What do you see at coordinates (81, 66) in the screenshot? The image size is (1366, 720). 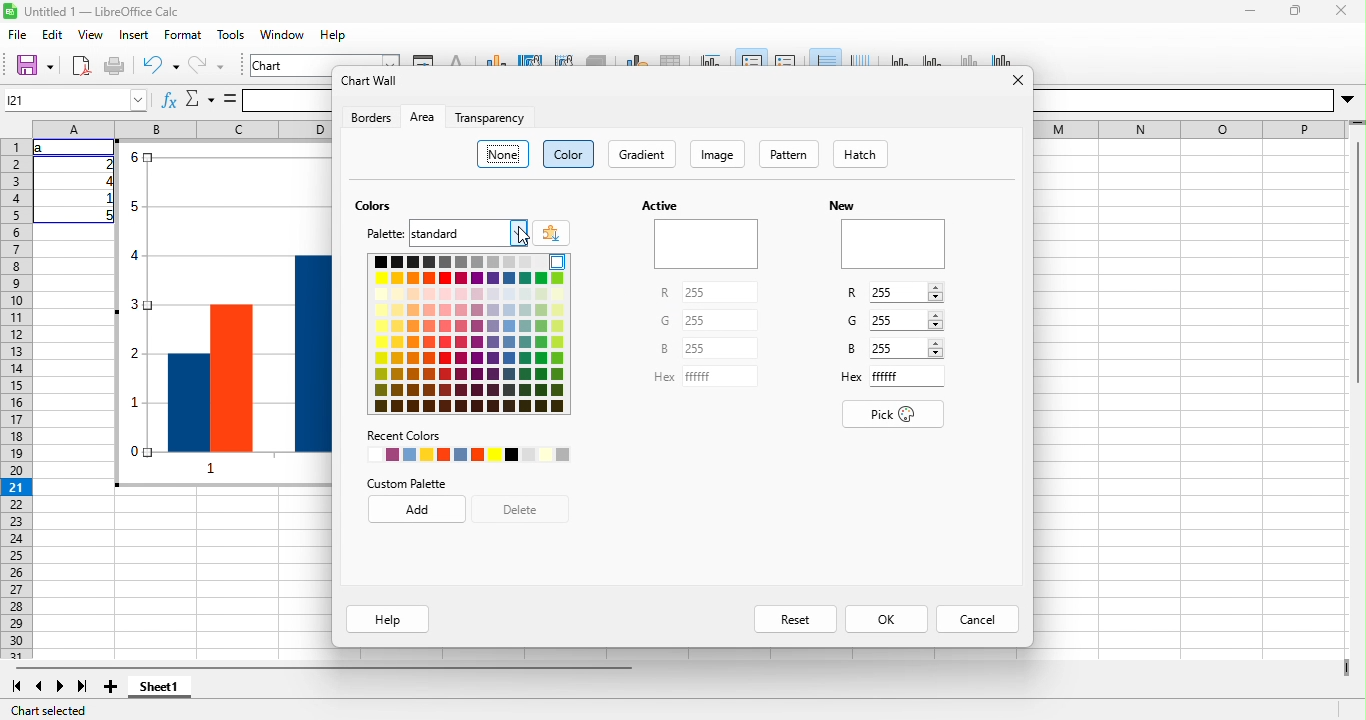 I see `export directly as pdf` at bounding box center [81, 66].